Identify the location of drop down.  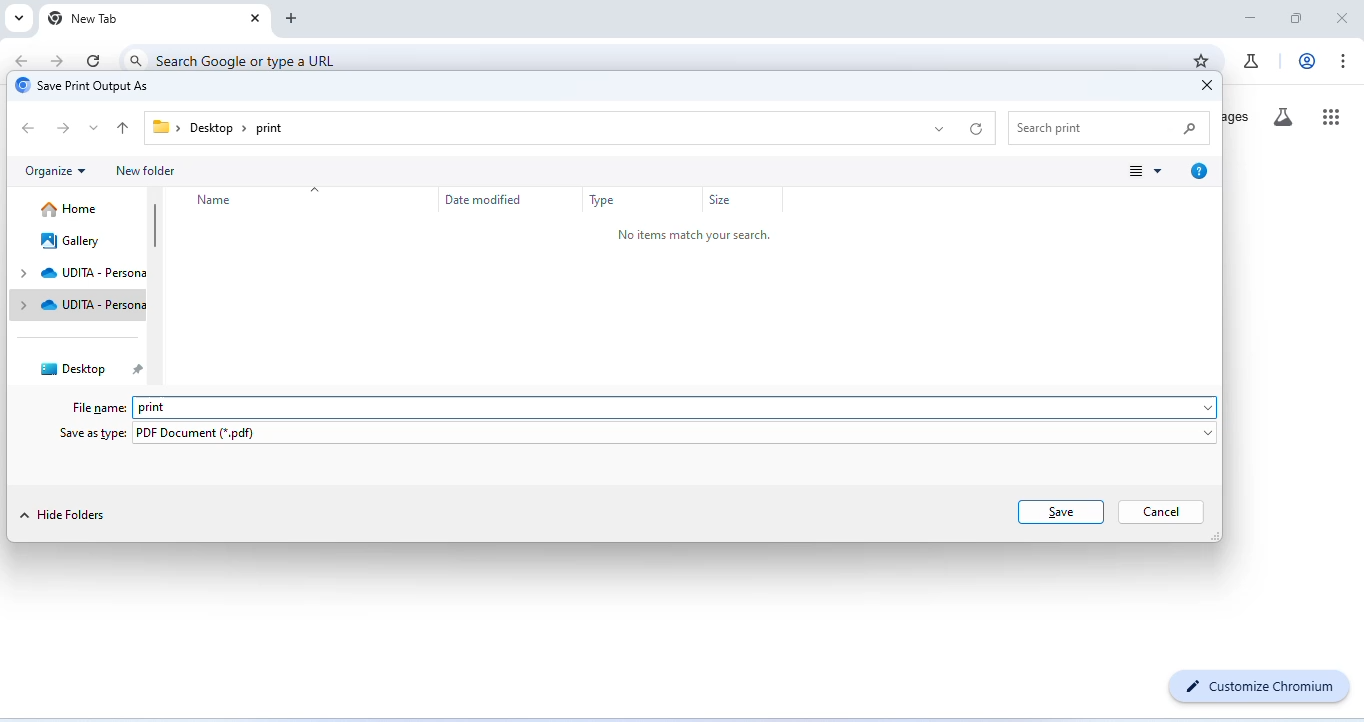
(315, 191).